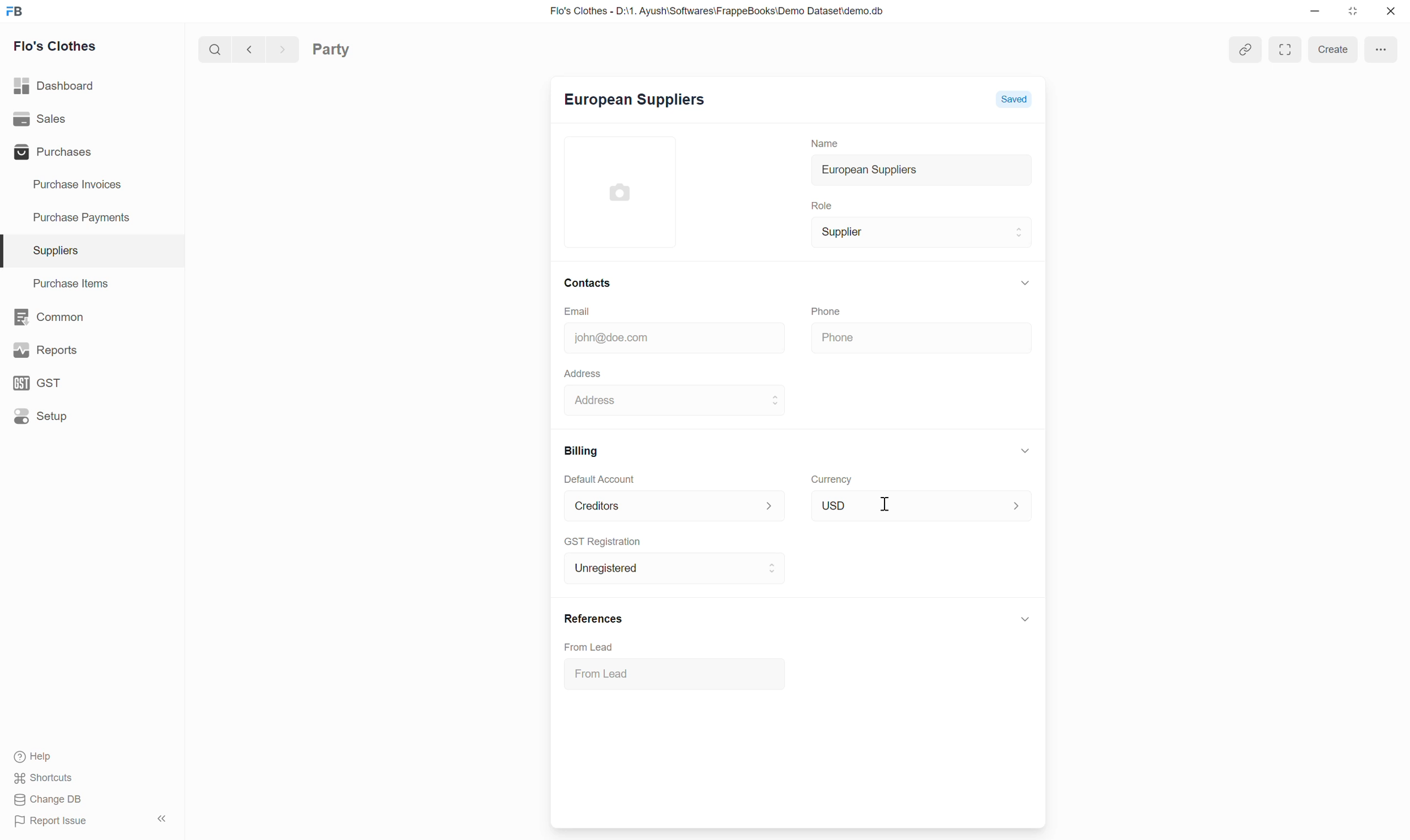  Describe the element at coordinates (863, 337) in the screenshot. I see `Phone` at that location.